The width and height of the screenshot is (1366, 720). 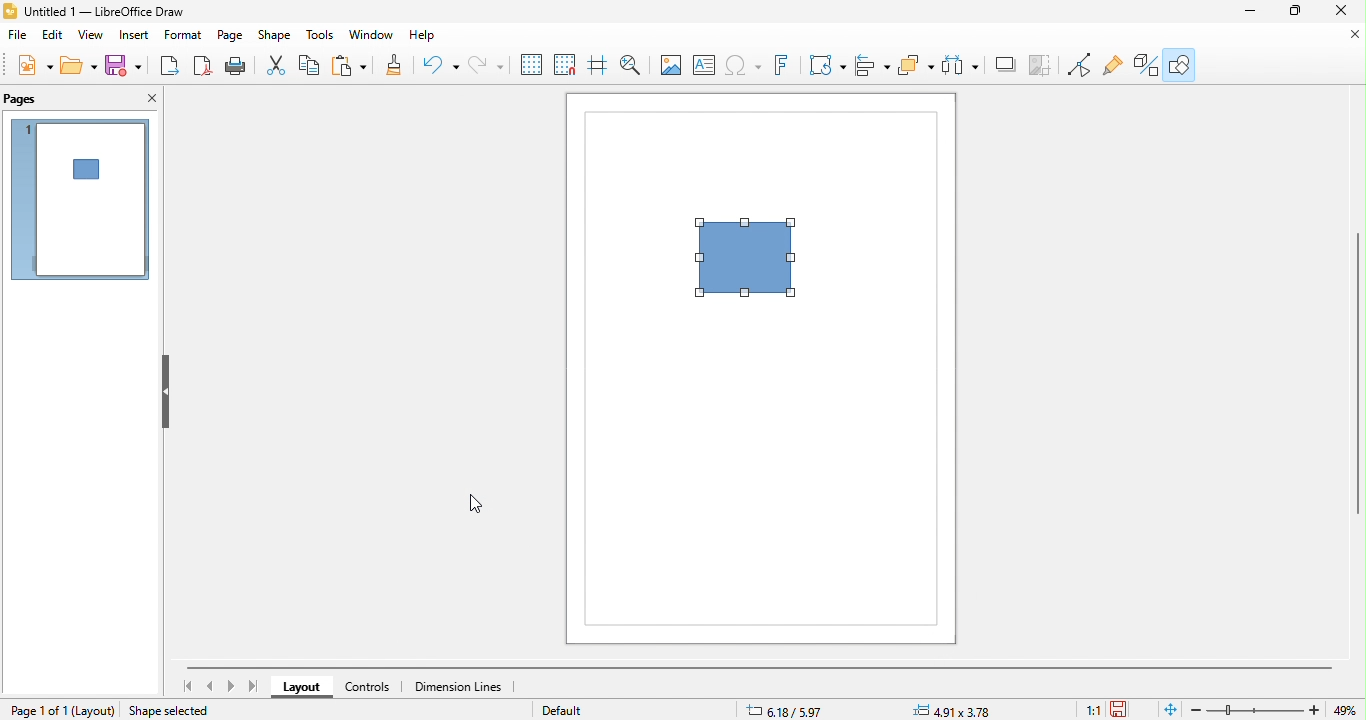 I want to click on layout, so click(x=96, y=710).